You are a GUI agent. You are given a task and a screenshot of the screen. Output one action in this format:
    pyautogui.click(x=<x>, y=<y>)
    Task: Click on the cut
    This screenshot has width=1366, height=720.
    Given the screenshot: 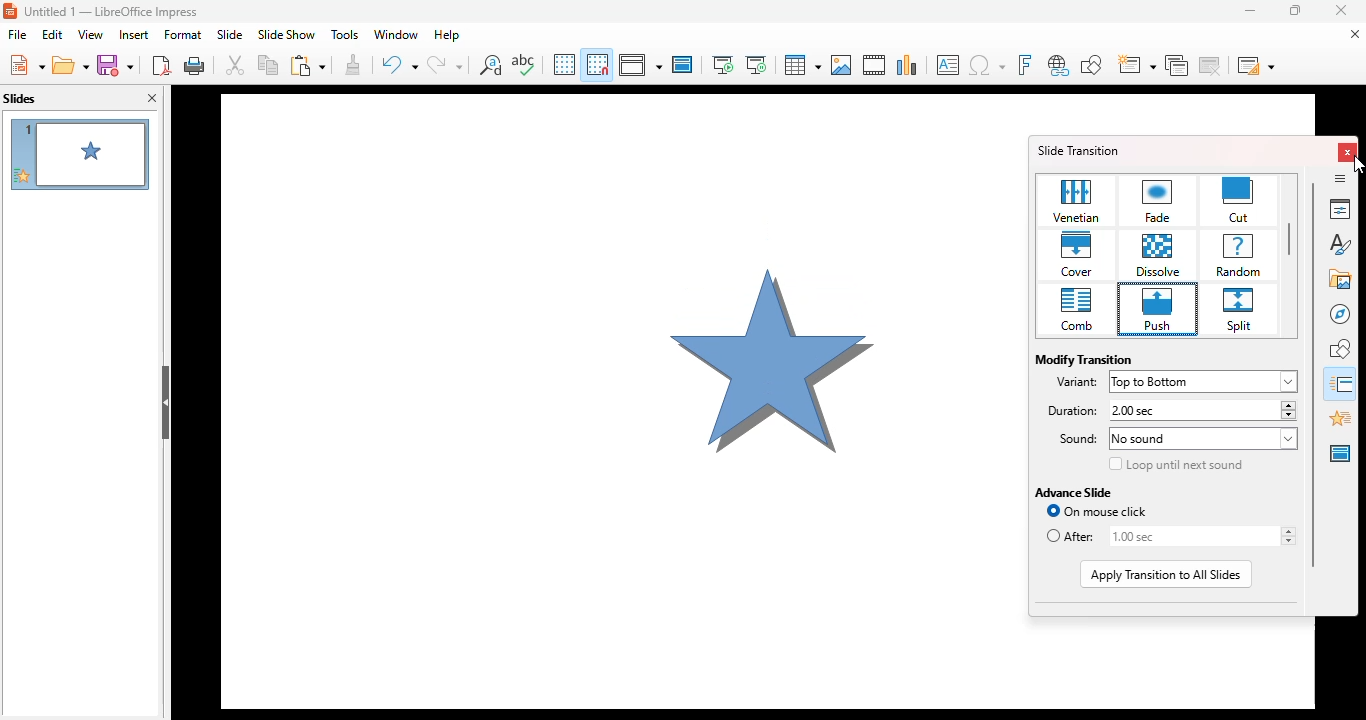 What is the action you would take?
    pyautogui.click(x=1240, y=201)
    